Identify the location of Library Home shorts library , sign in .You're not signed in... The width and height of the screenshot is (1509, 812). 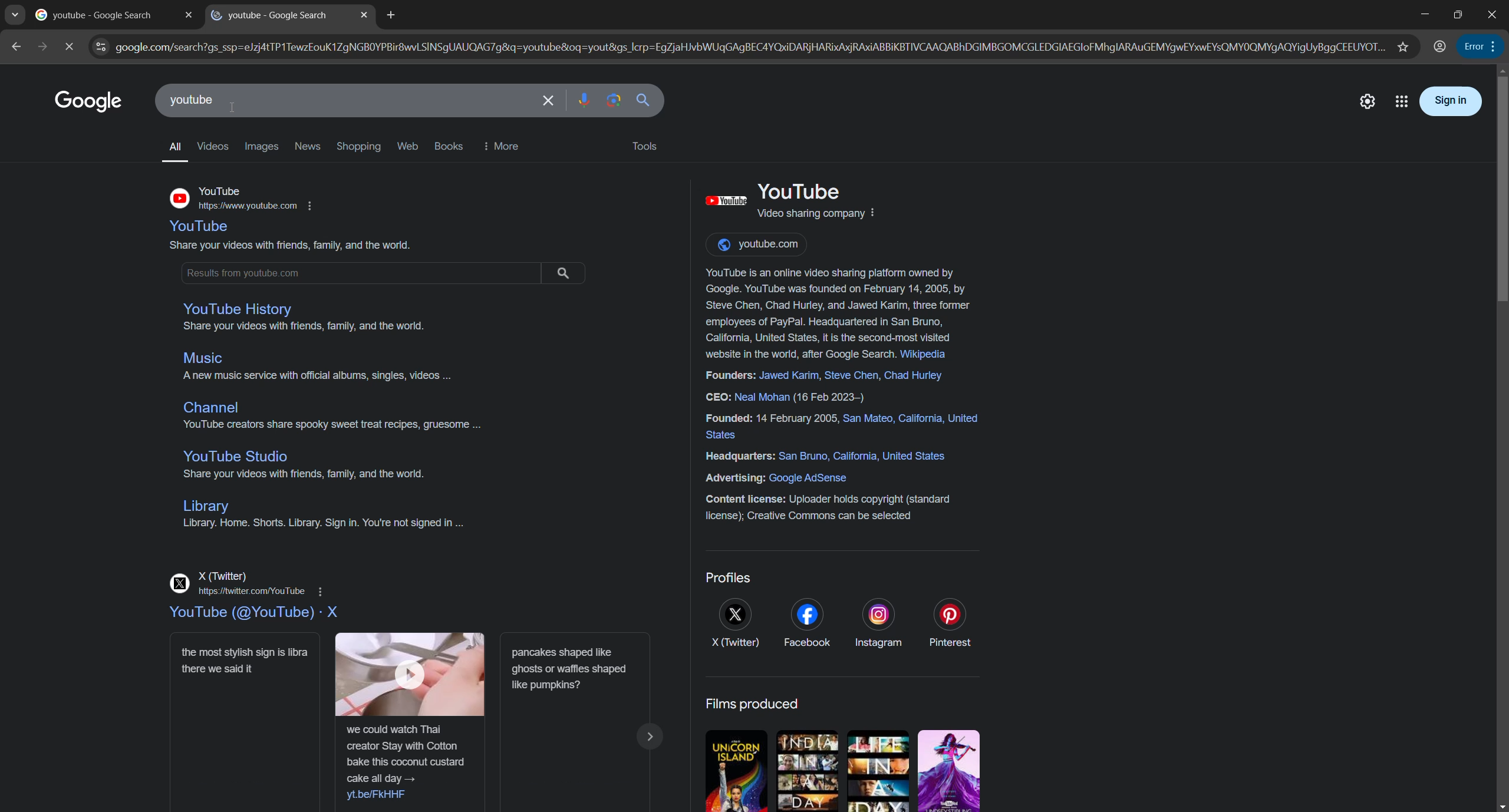
(321, 528).